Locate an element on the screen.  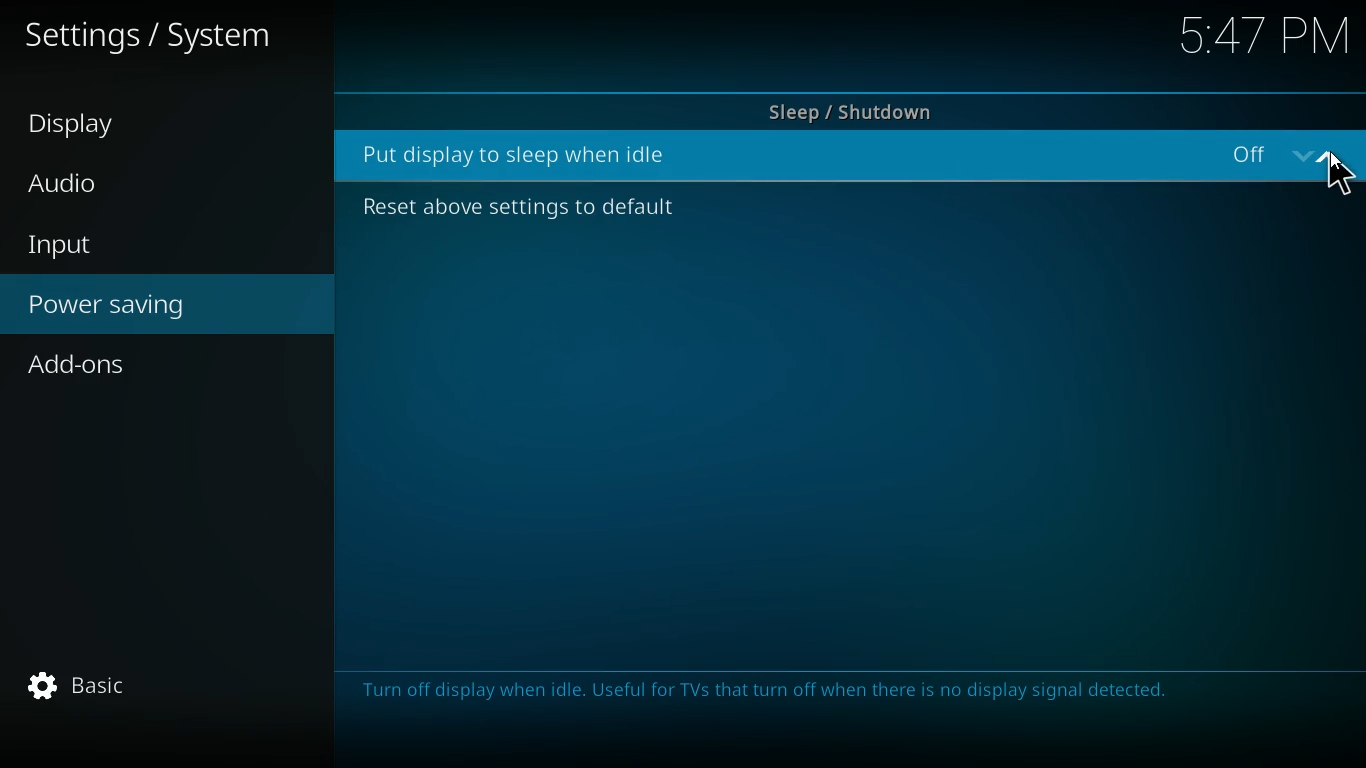
add-ons is located at coordinates (153, 368).